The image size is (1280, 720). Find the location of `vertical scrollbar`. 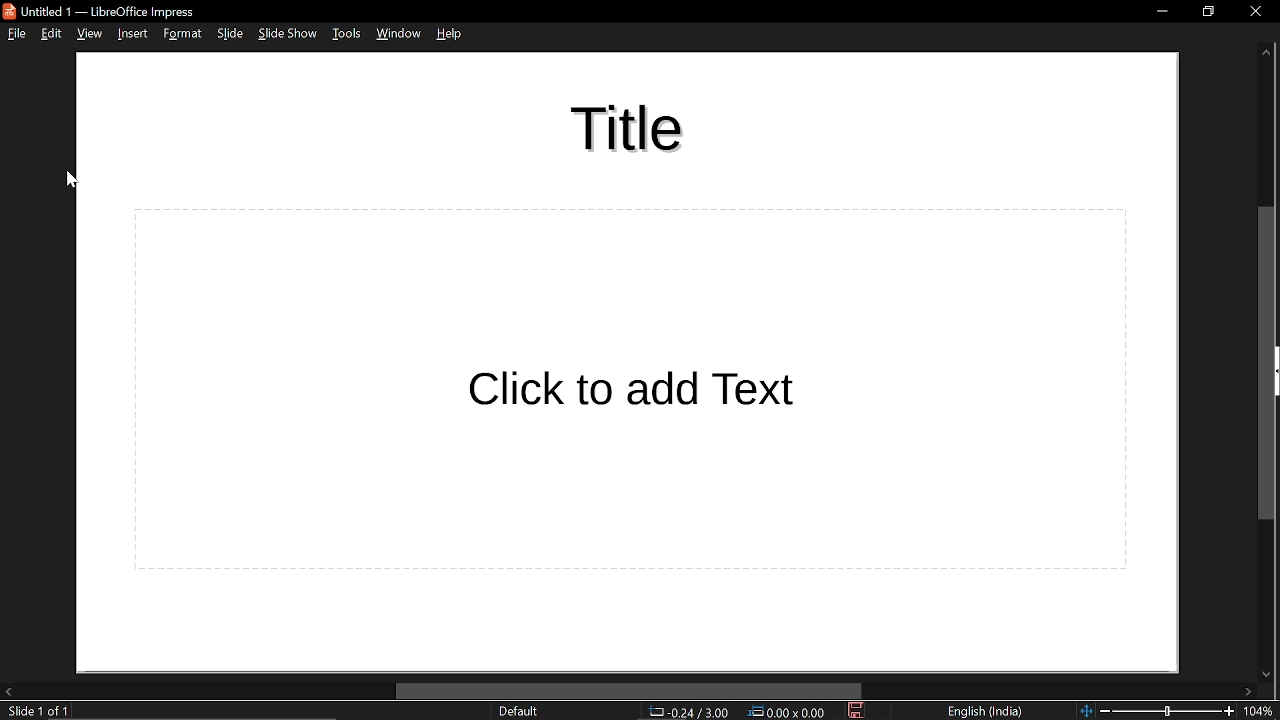

vertical scrollbar is located at coordinates (1265, 362).